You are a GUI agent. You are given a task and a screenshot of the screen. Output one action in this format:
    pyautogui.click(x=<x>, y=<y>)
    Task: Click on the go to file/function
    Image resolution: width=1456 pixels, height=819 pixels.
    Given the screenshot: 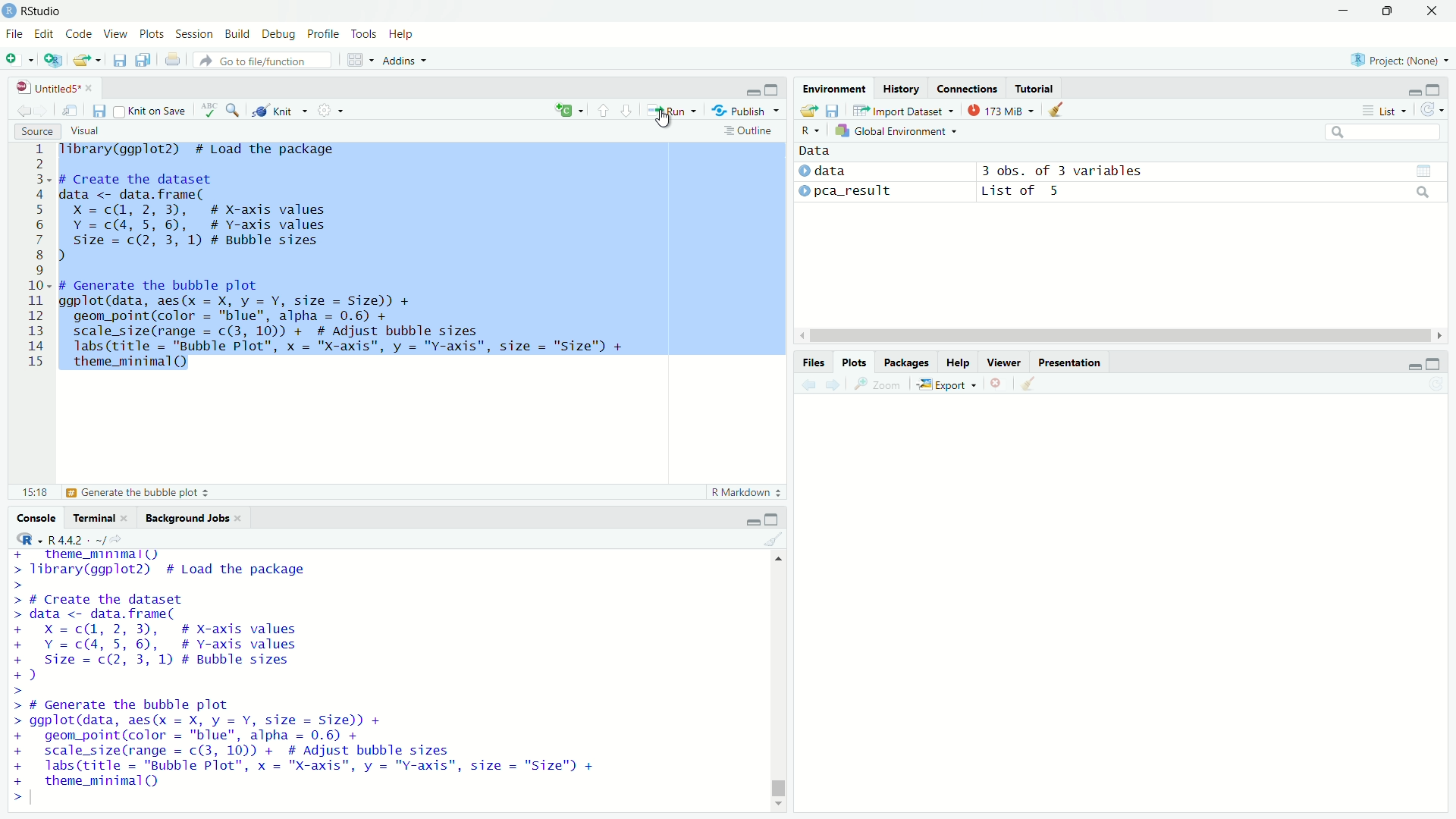 What is the action you would take?
    pyautogui.click(x=264, y=60)
    